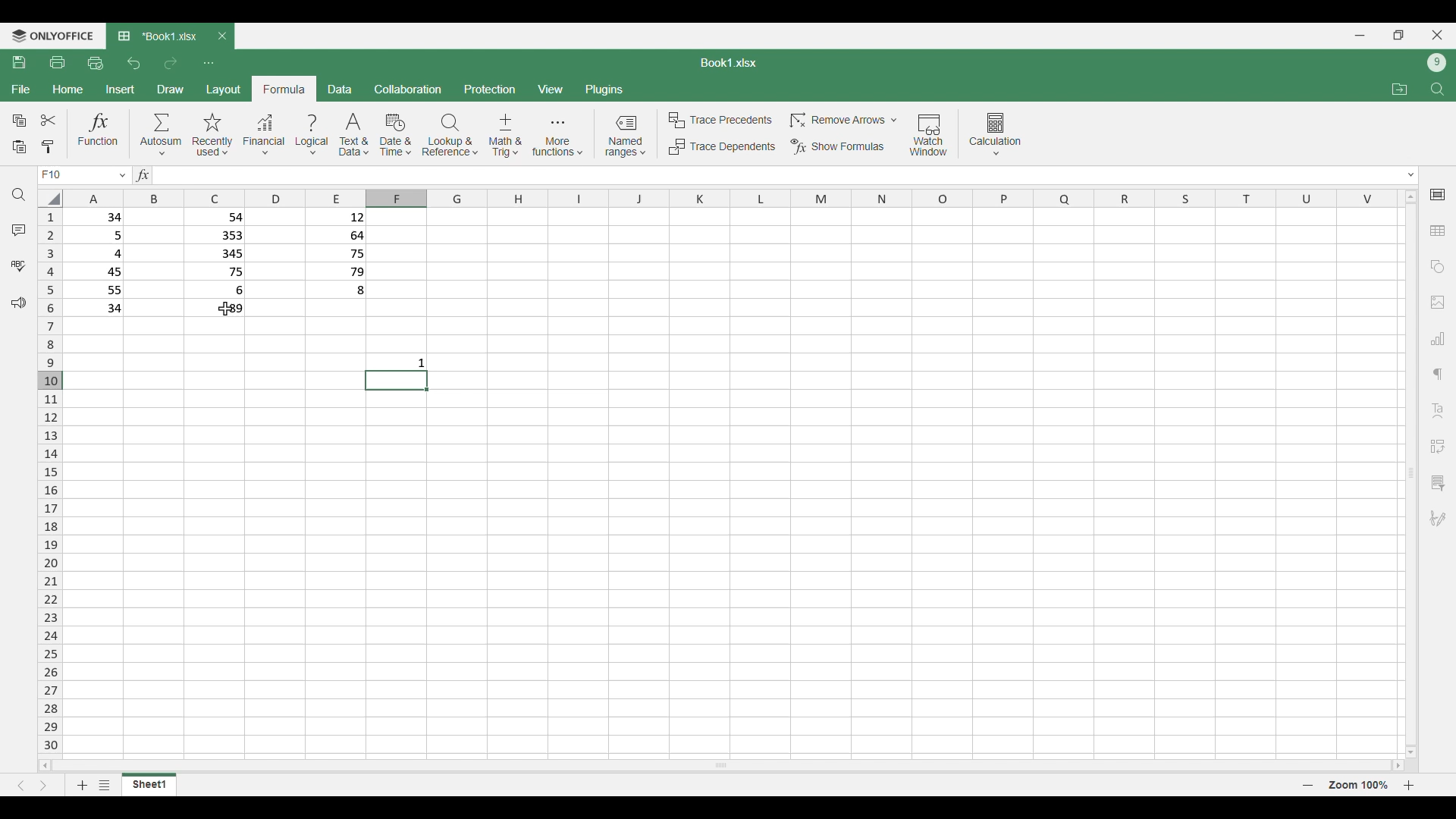 This screenshot has width=1456, height=819. Describe the element at coordinates (721, 764) in the screenshot. I see `Horizontal slide bar` at that location.